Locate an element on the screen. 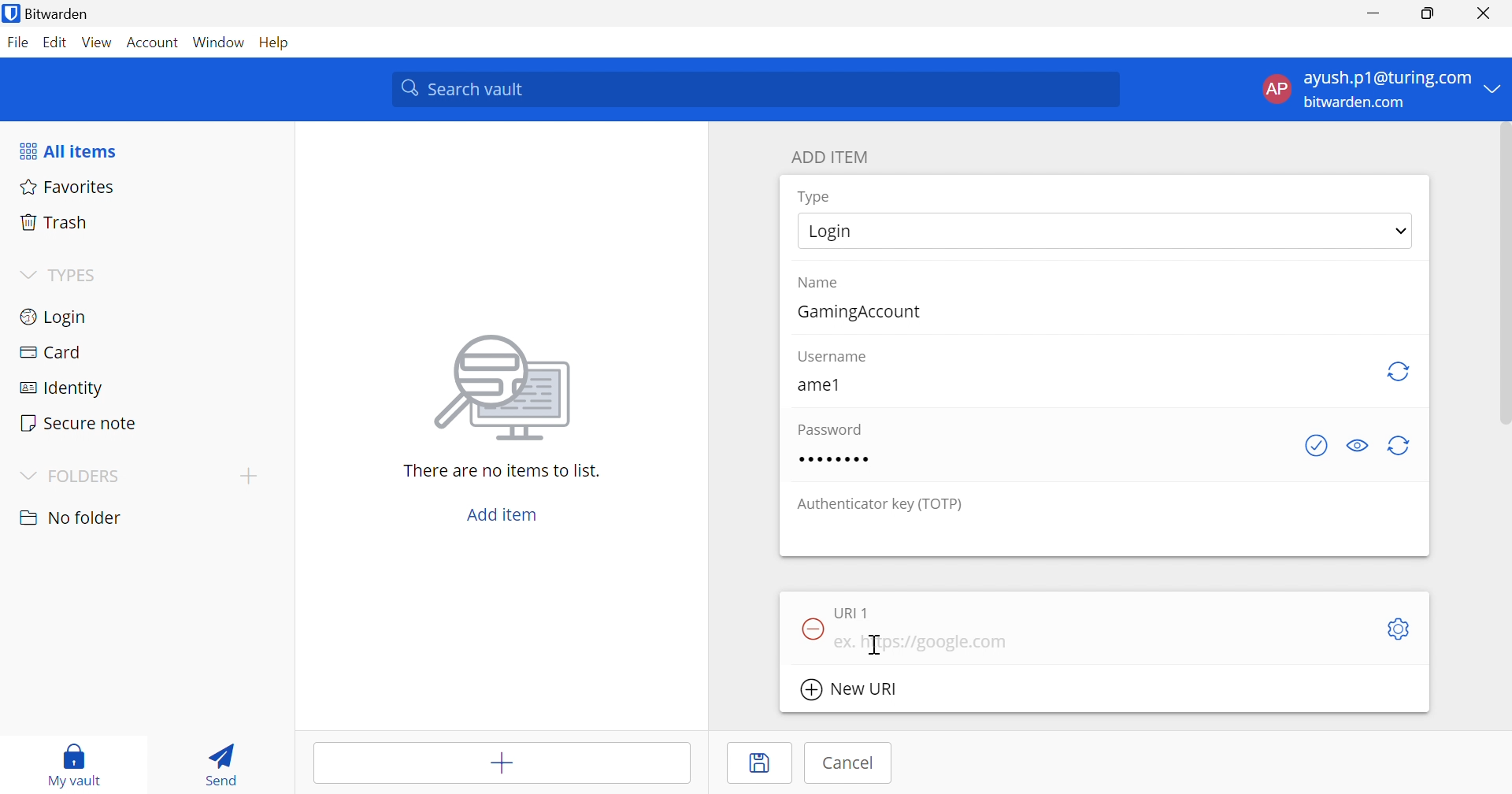  Remove is located at coordinates (810, 627).